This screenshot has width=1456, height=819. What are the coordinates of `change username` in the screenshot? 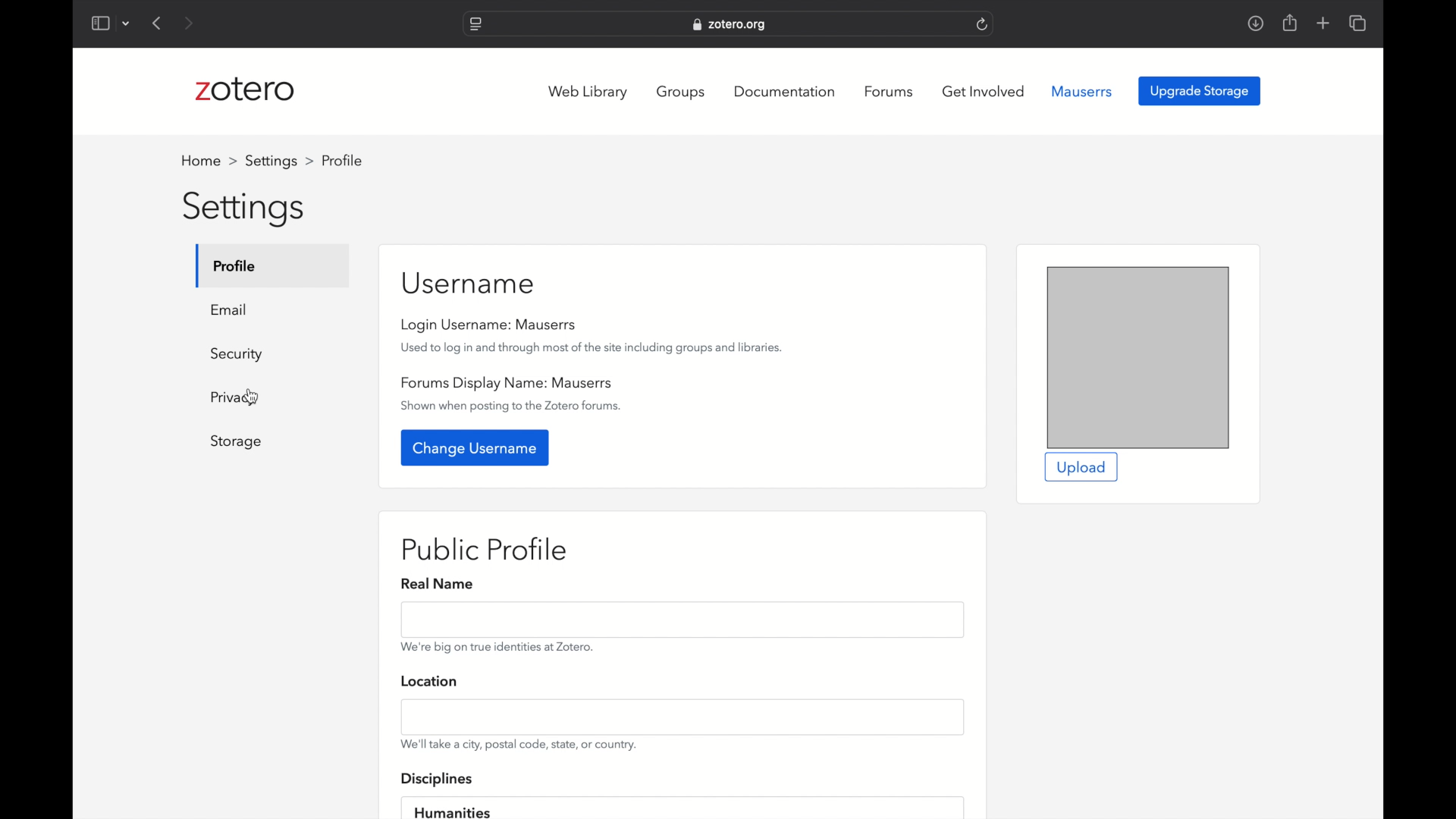 It's located at (476, 447).